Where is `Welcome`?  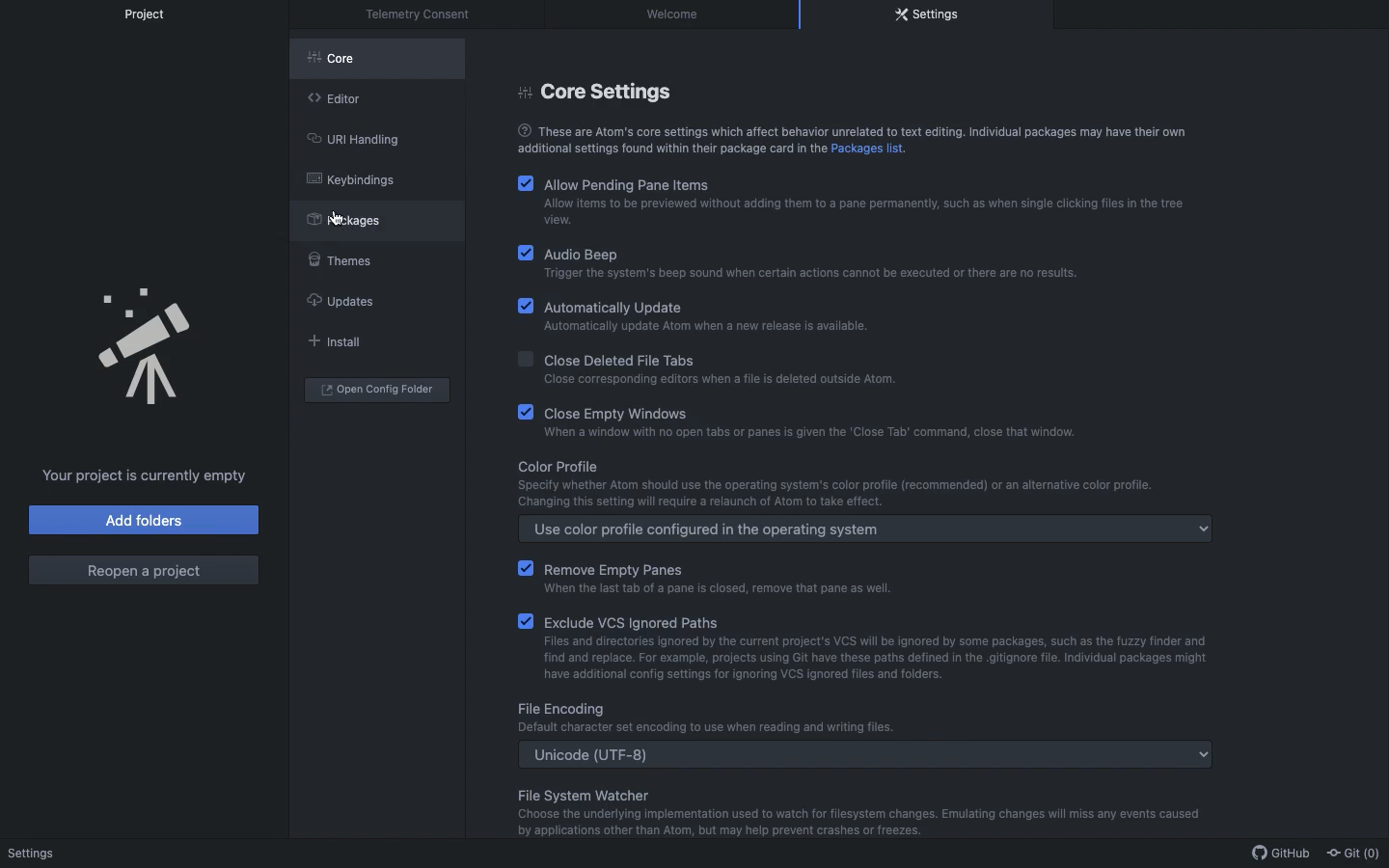
Welcome is located at coordinates (35, 854).